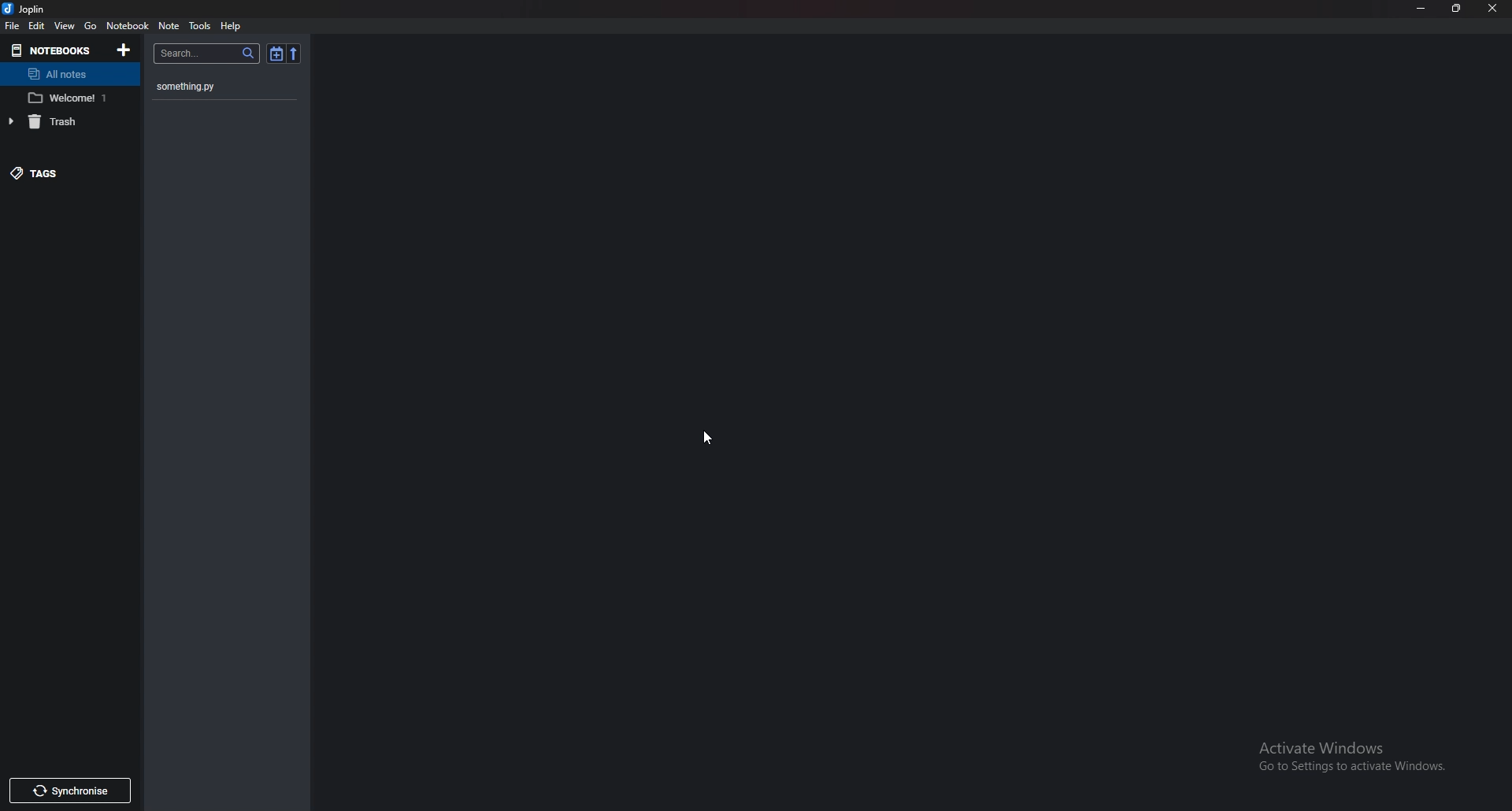 The image size is (1512, 811). I want to click on go, so click(91, 27).